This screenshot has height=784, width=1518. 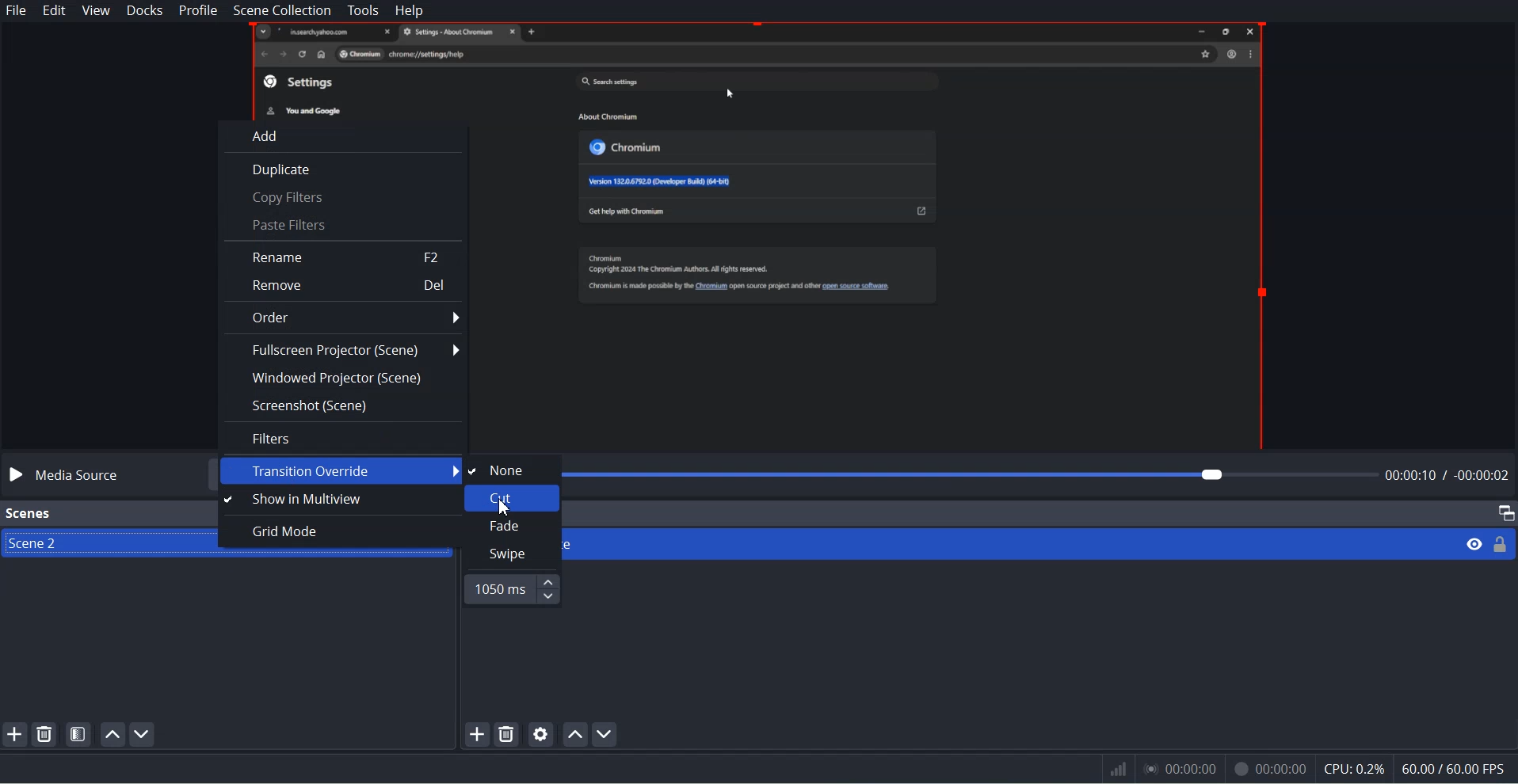 What do you see at coordinates (337, 531) in the screenshot?
I see `Grid Mode` at bounding box center [337, 531].